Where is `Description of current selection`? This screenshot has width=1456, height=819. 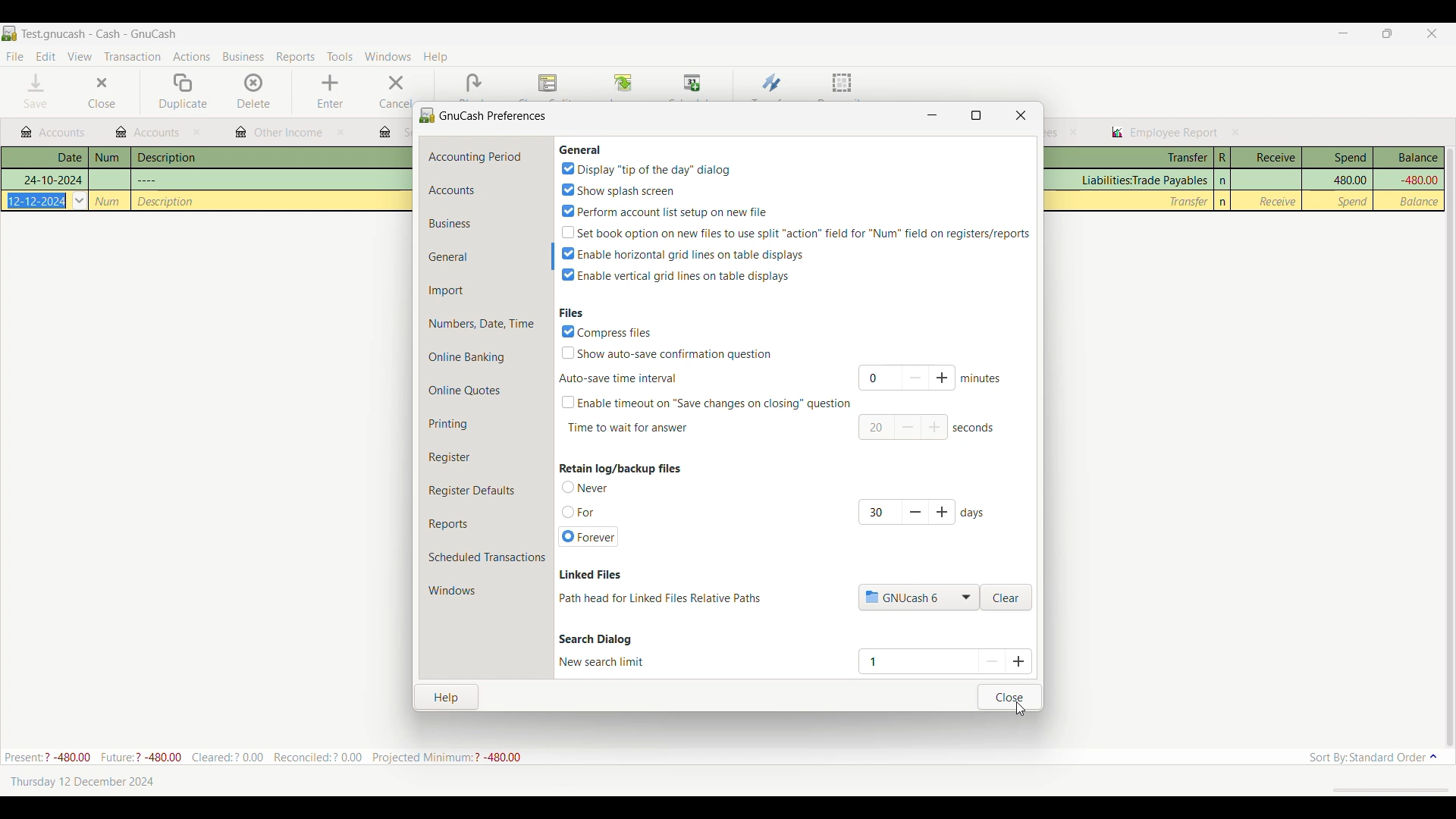 Description of current selection is located at coordinates (591, 576).